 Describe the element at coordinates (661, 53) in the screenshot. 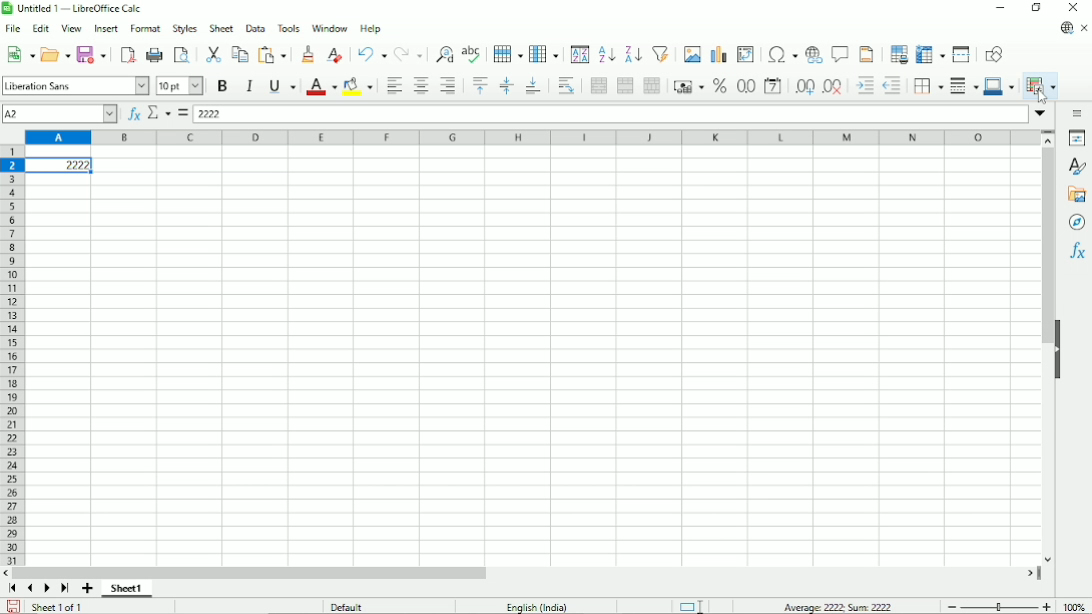

I see `Auto filter` at that location.